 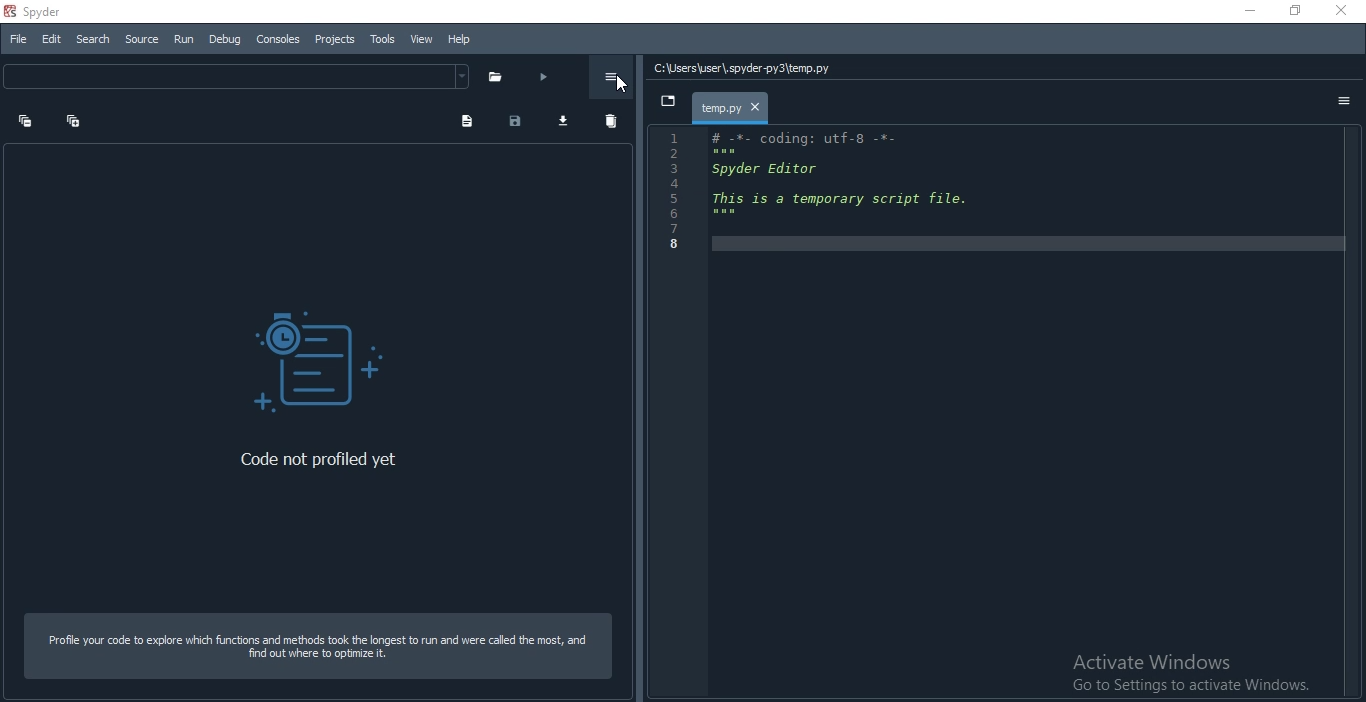 What do you see at coordinates (624, 85) in the screenshot?
I see `cursor on options` at bounding box center [624, 85].